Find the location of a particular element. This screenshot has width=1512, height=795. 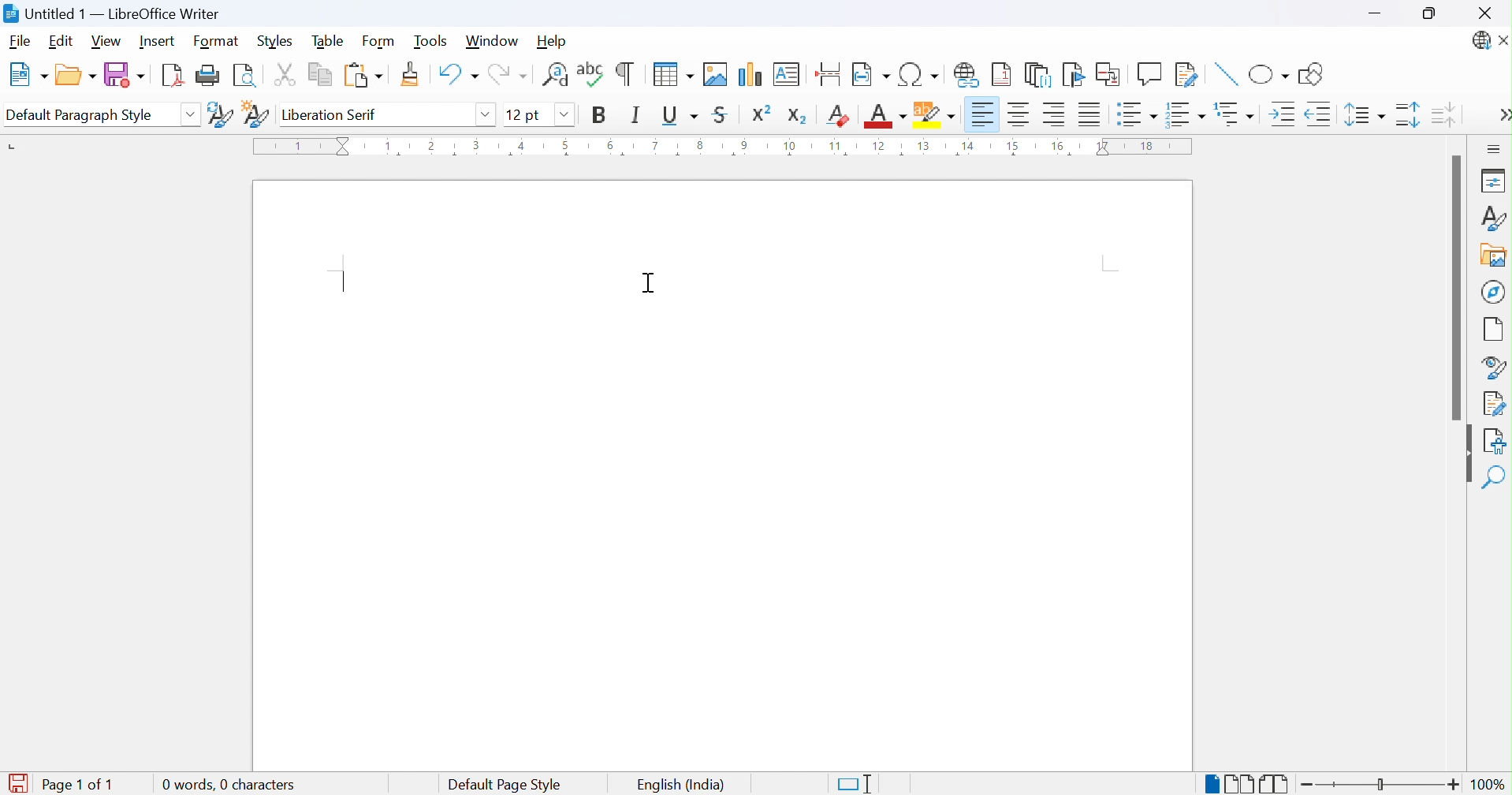

Form is located at coordinates (381, 39).